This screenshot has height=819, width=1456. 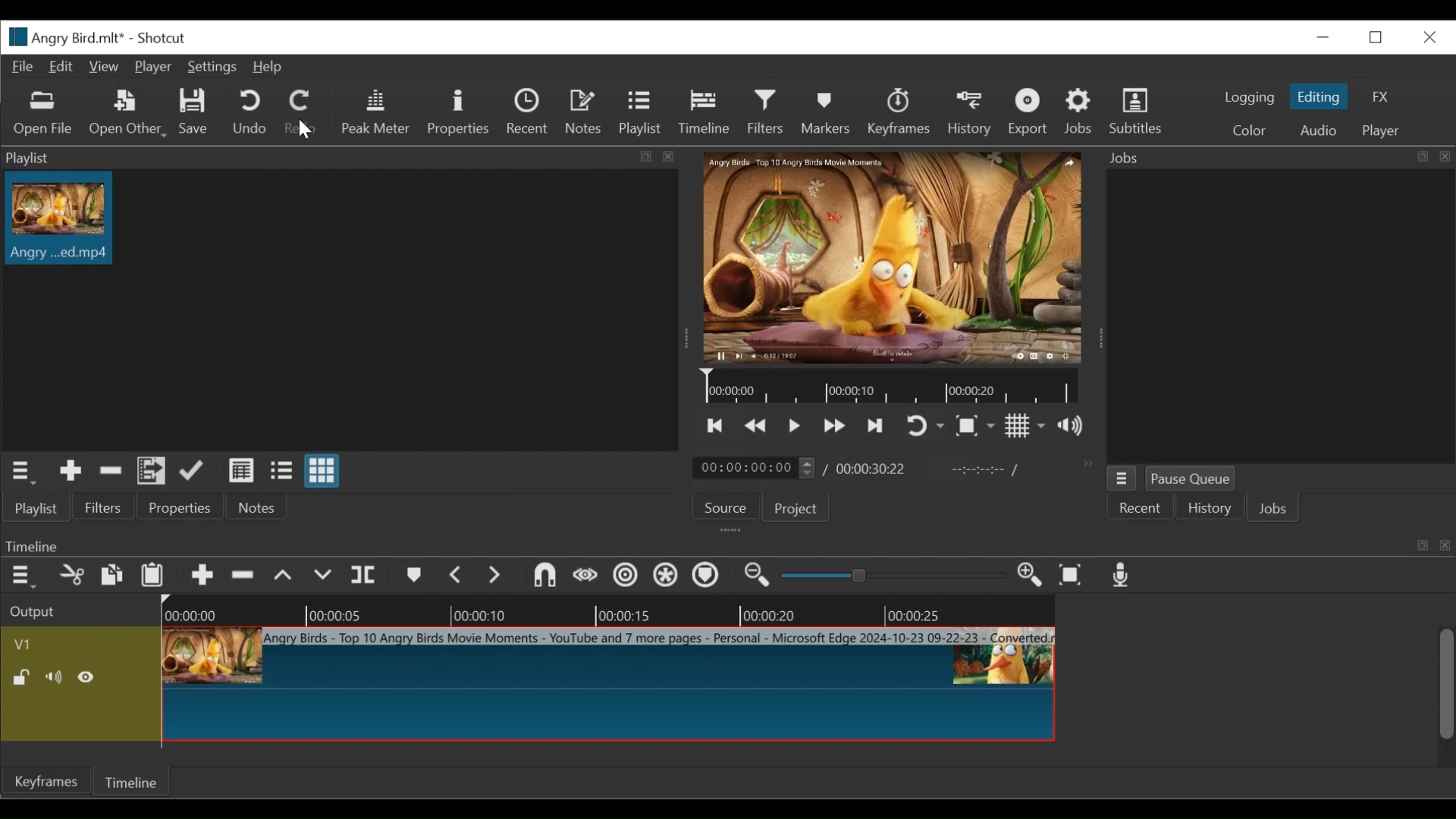 What do you see at coordinates (252, 507) in the screenshot?
I see `Notes` at bounding box center [252, 507].